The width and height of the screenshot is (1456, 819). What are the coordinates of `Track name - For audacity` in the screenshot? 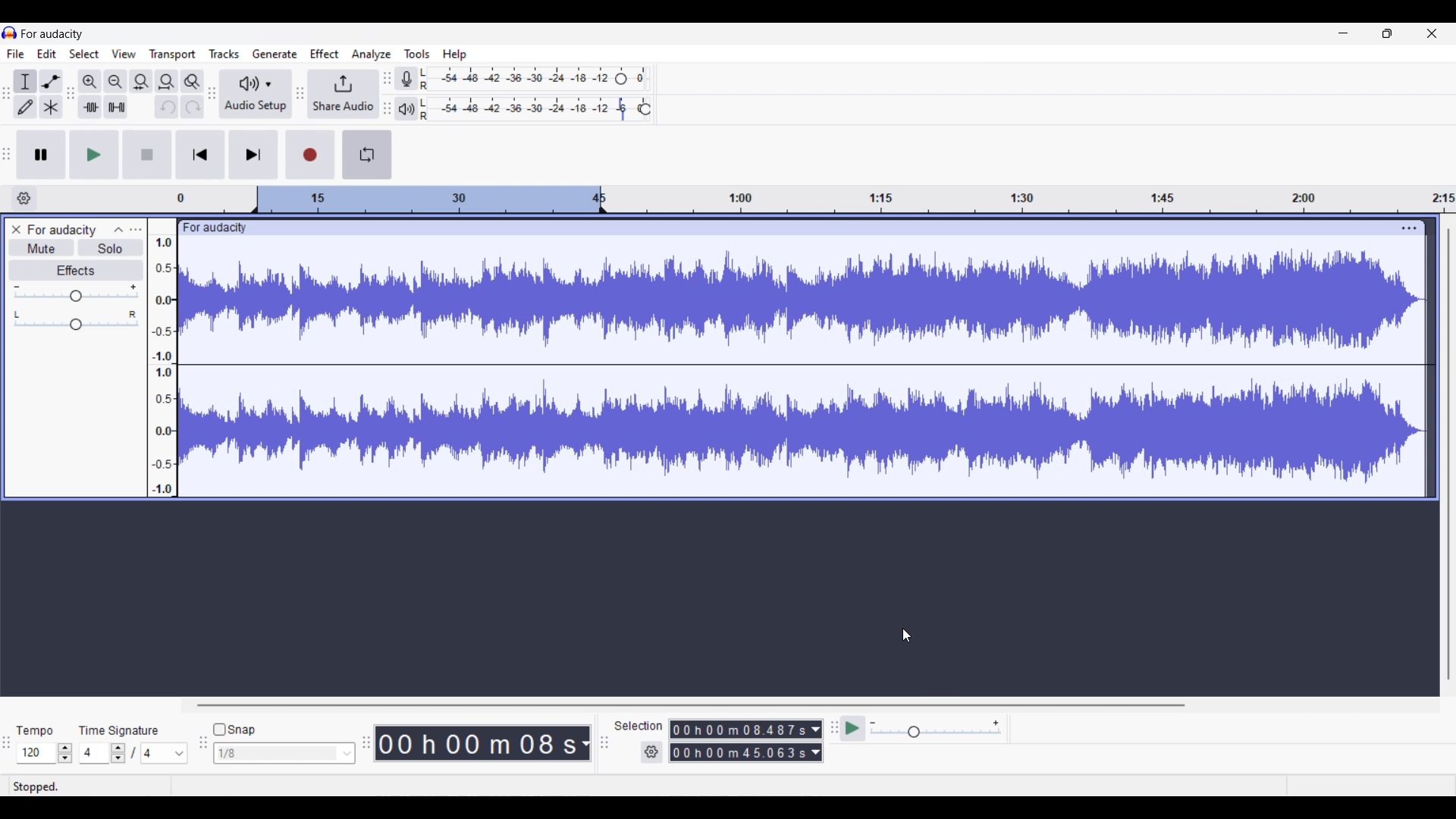 It's located at (63, 230).